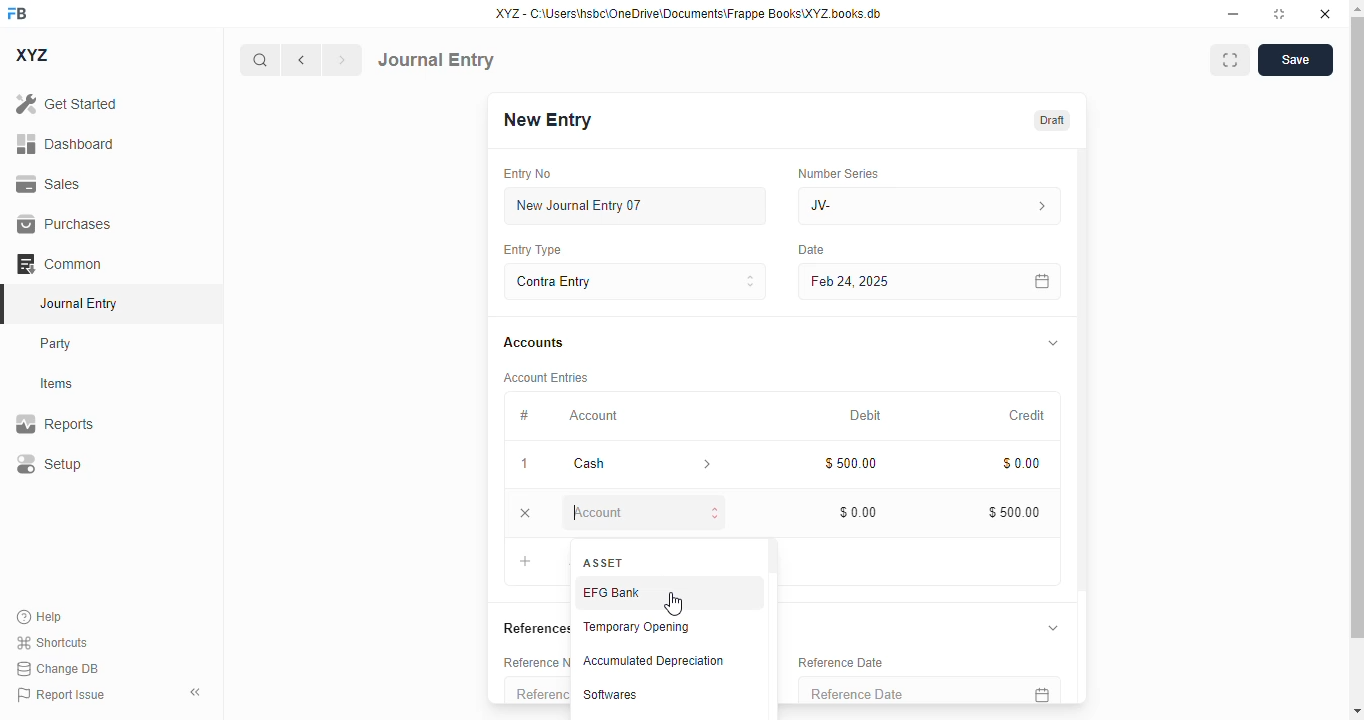 The height and width of the screenshot is (720, 1364). What do you see at coordinates (1357, 711) in the screenshot?
I see `scroll down` at bounding box center [1357, 711].